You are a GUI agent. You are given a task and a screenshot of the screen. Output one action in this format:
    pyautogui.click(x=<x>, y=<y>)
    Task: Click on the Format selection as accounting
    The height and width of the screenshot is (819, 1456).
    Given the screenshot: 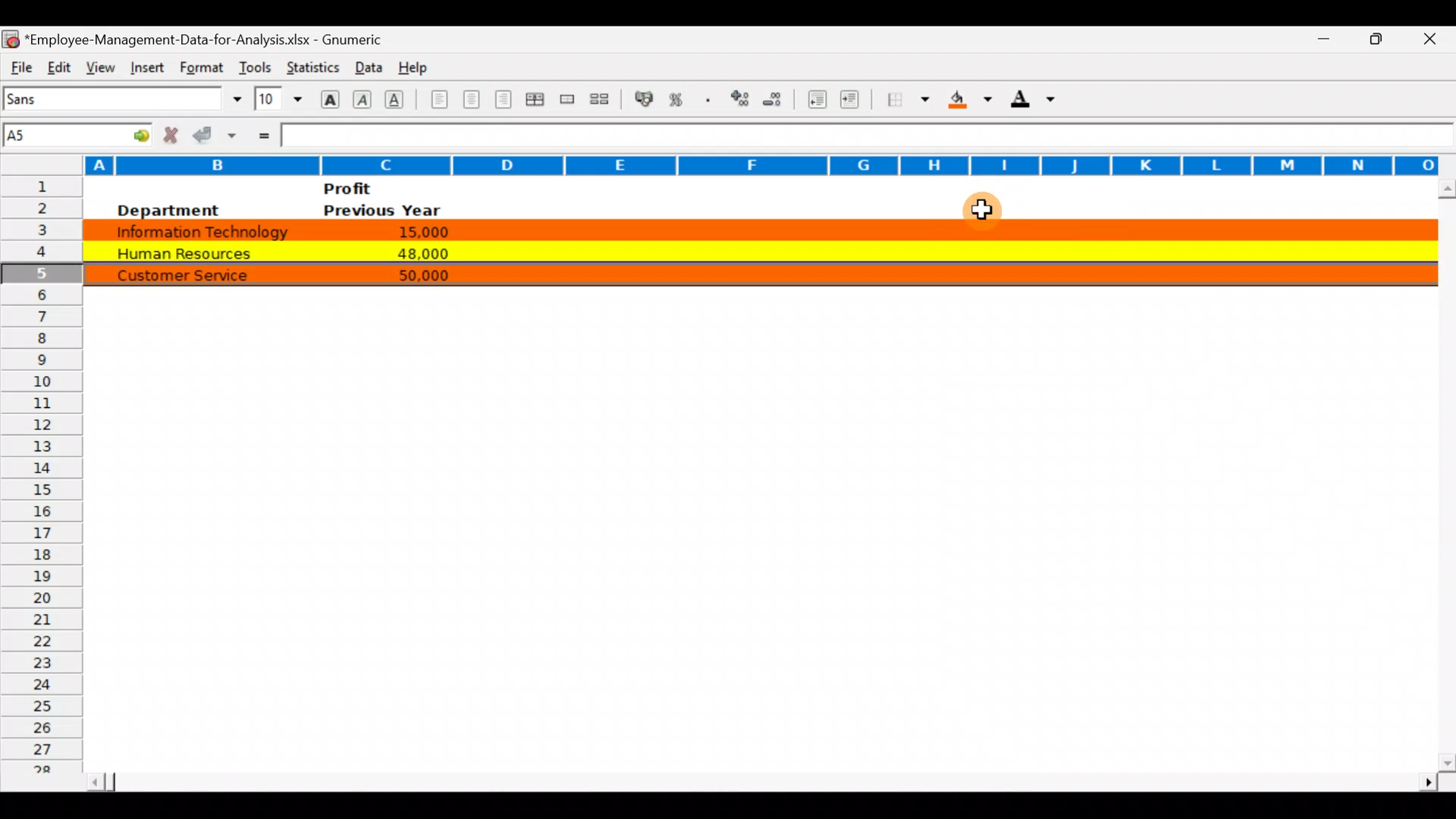 What is the action you would take?
    pyautogui.click(x=645, y=97)
    